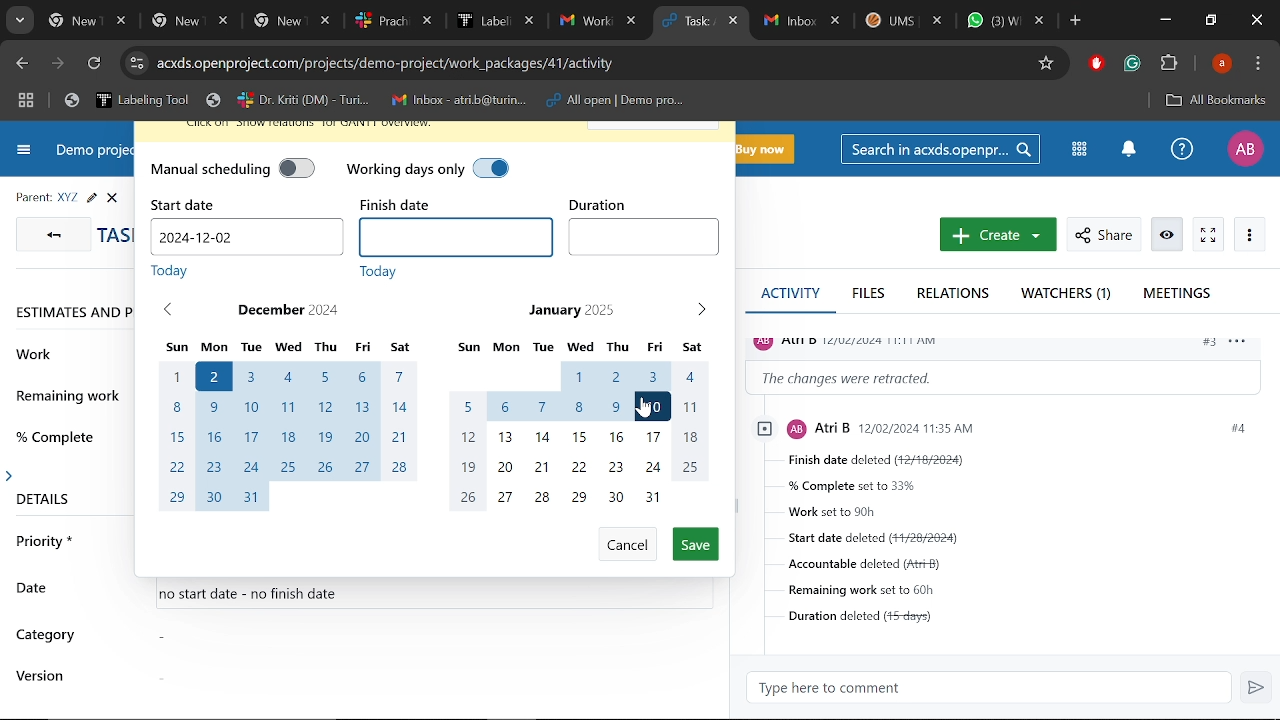 This screenshot has height=720, width=1280. Describe the element at coordinates (1096, 63) in the screenshot. I see `Addblock` at that location.